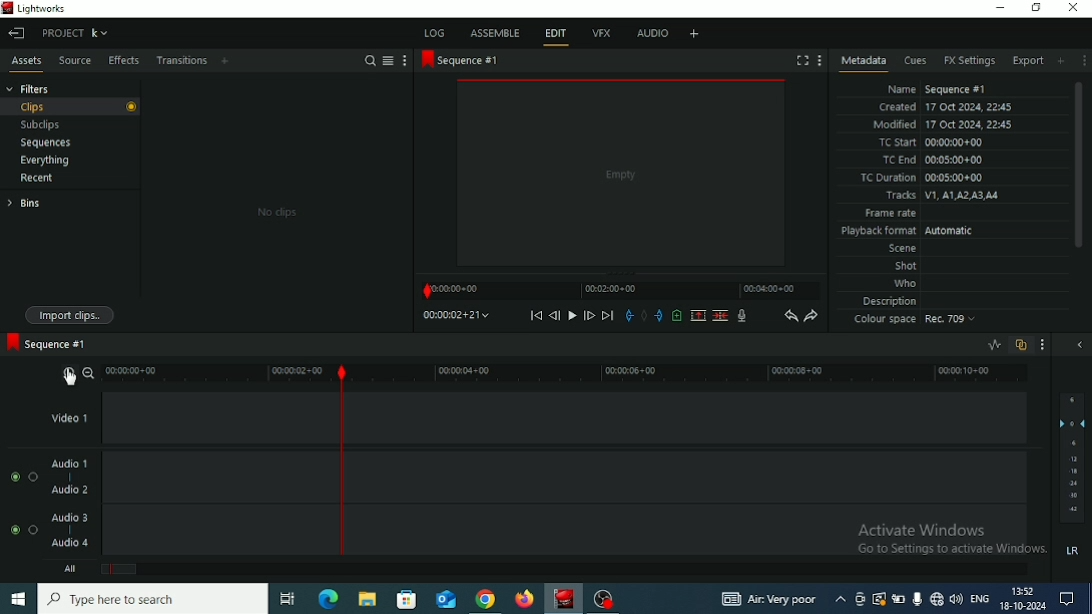 The height and width of the screenshot is (614, 1092). I want to click on Date, so click(1022, 606).